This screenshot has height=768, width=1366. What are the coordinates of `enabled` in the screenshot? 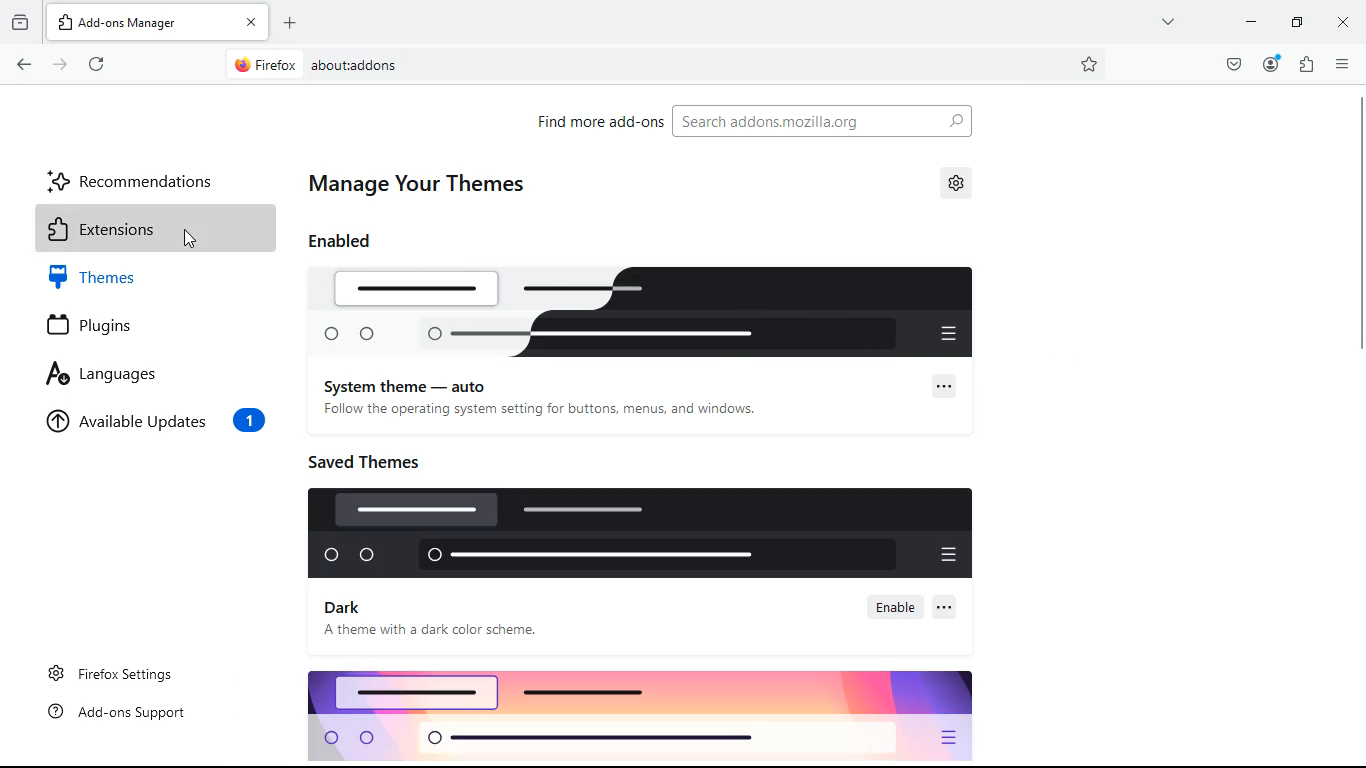 It's located at (349, 240).